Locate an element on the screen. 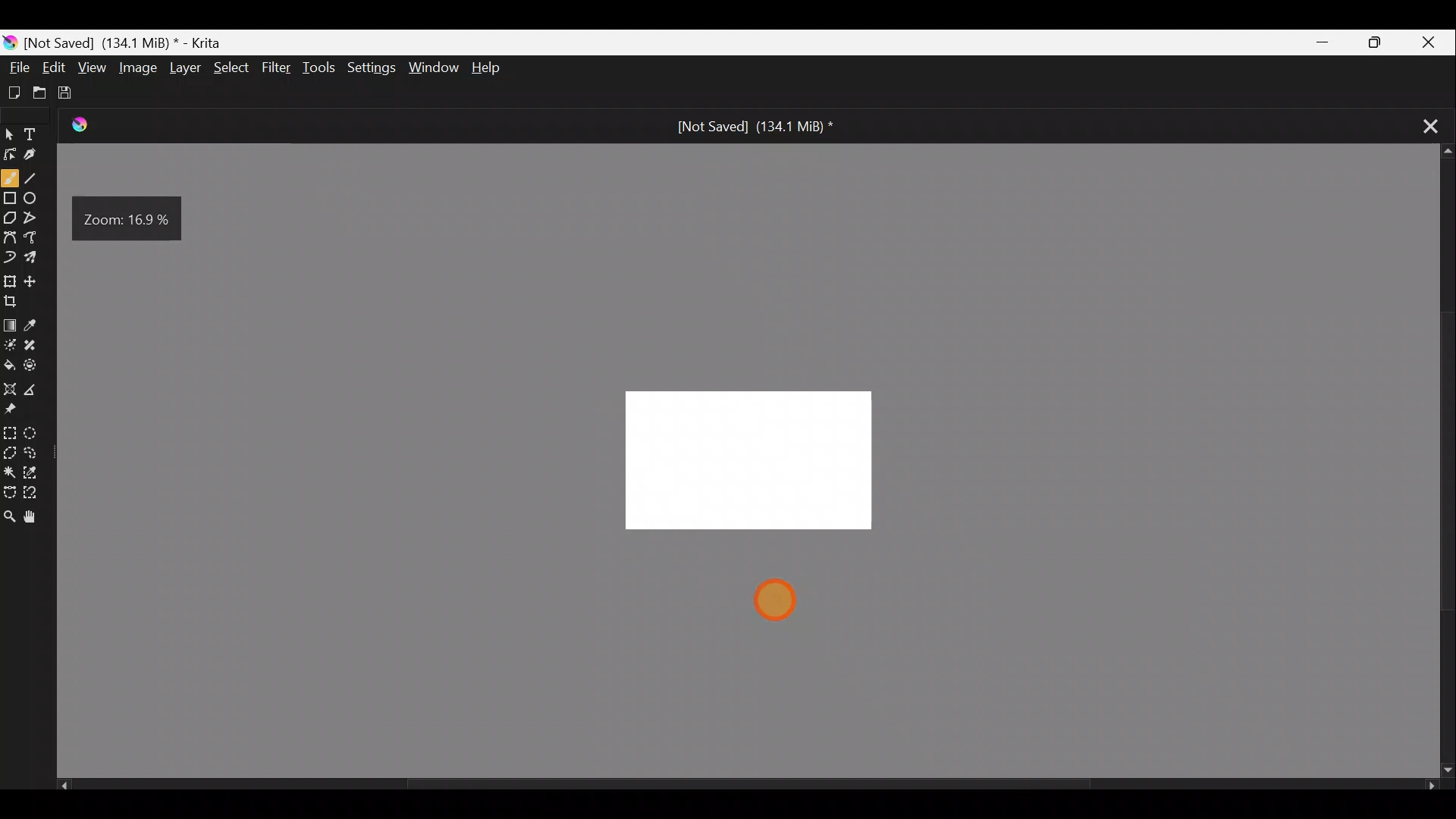 The height and width of the screenshot is (819, 1456). Colourise mask tool is located at coordinates (12, 342).